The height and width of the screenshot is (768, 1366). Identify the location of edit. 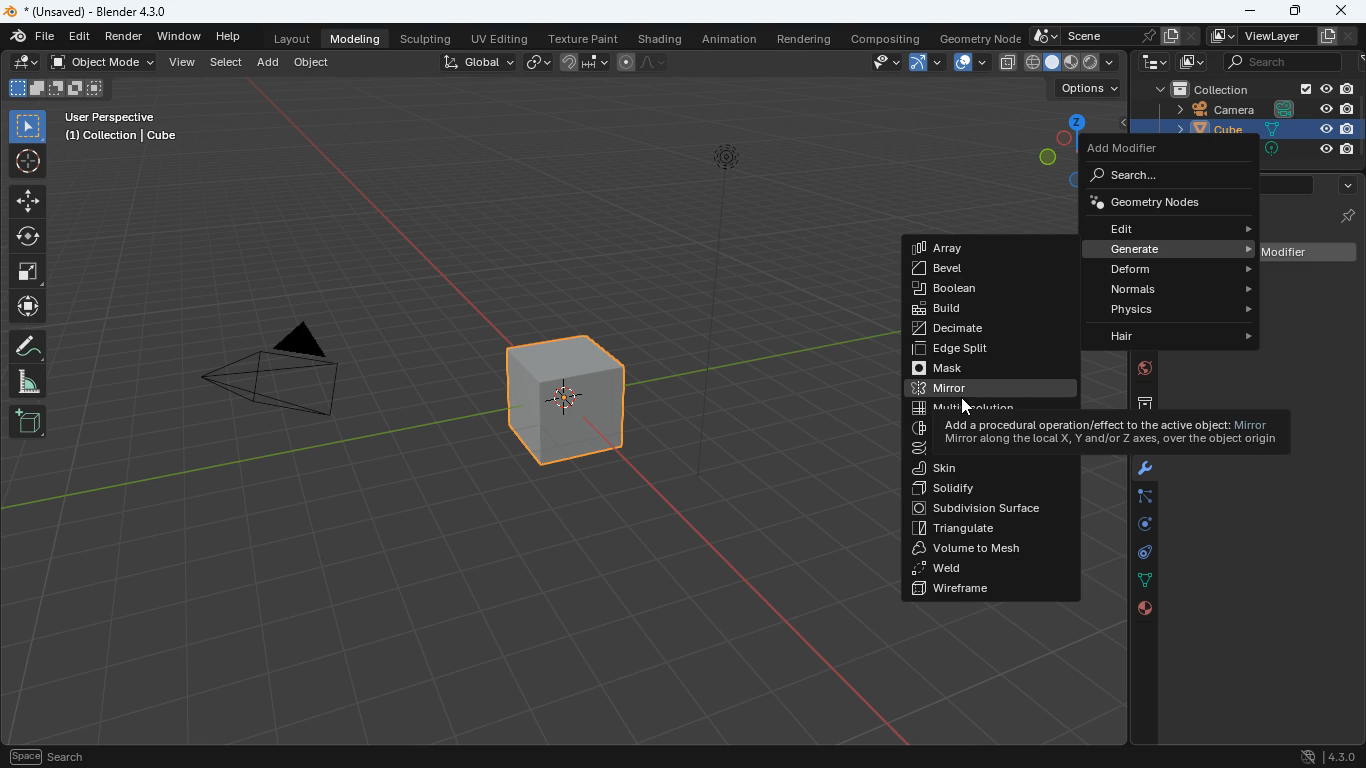
(20, 61).